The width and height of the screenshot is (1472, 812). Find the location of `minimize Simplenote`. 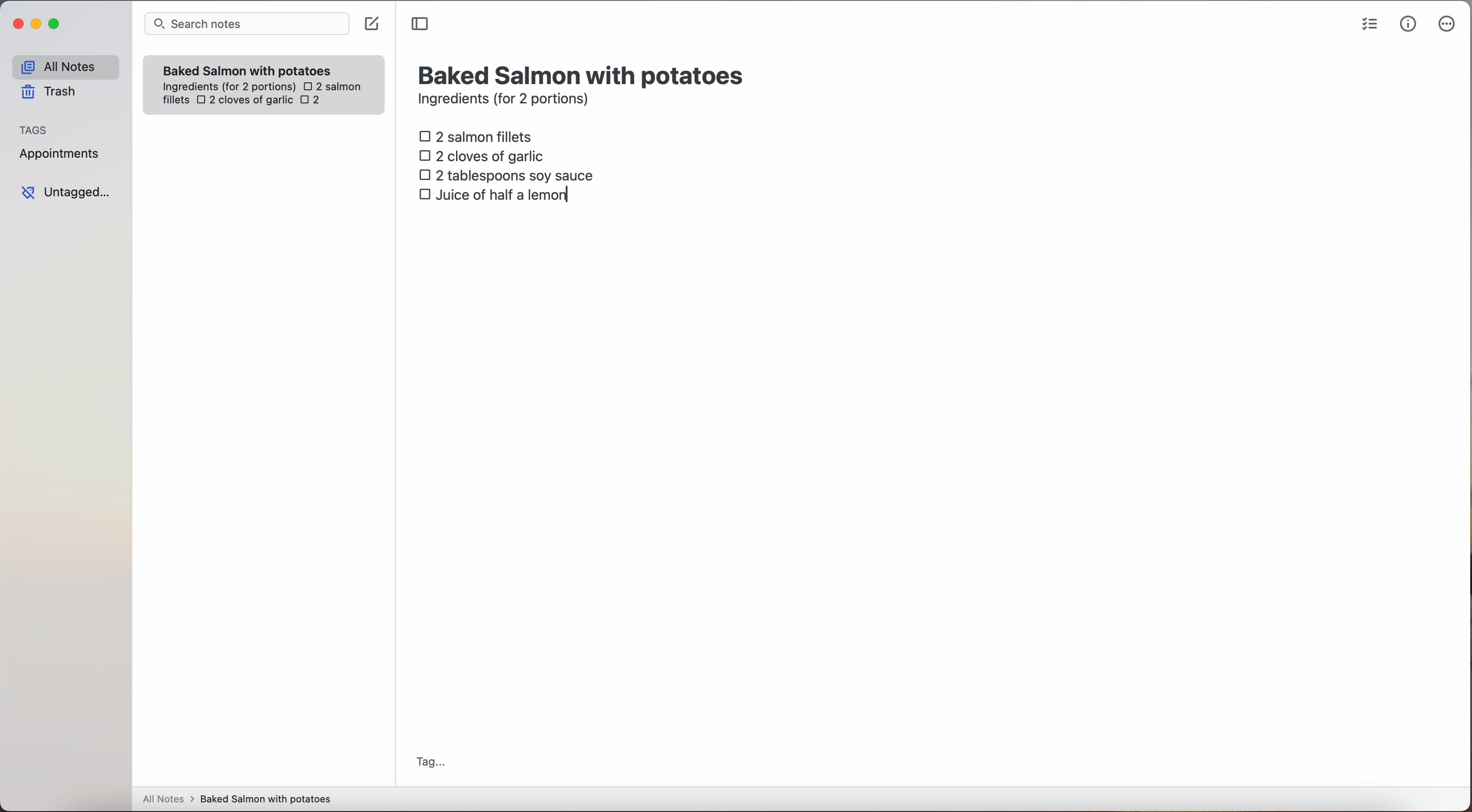

minimize Simplenote is located at coordinates (36, 25).